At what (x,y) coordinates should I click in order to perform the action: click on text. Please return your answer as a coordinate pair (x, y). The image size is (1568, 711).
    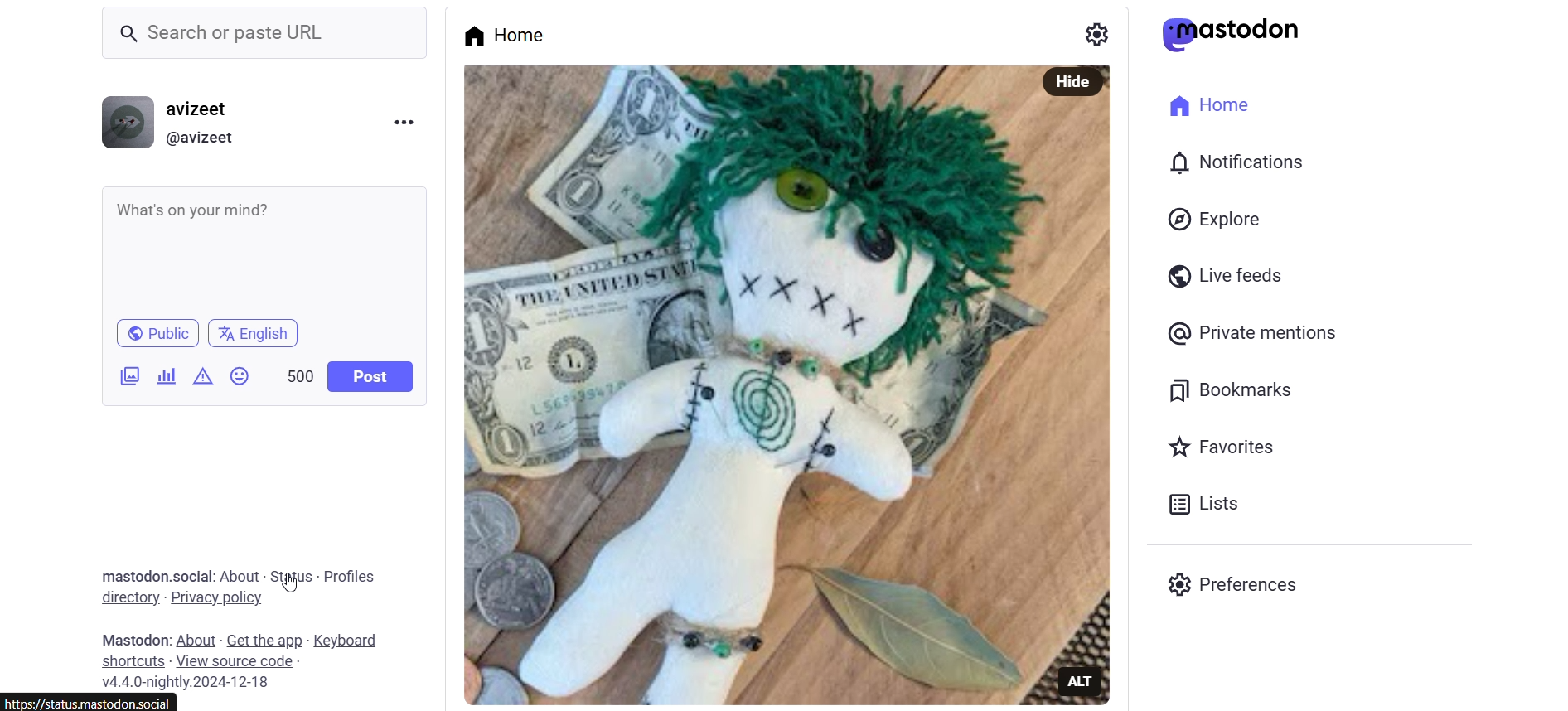
    Looking at the image, I should click on (134, 637).